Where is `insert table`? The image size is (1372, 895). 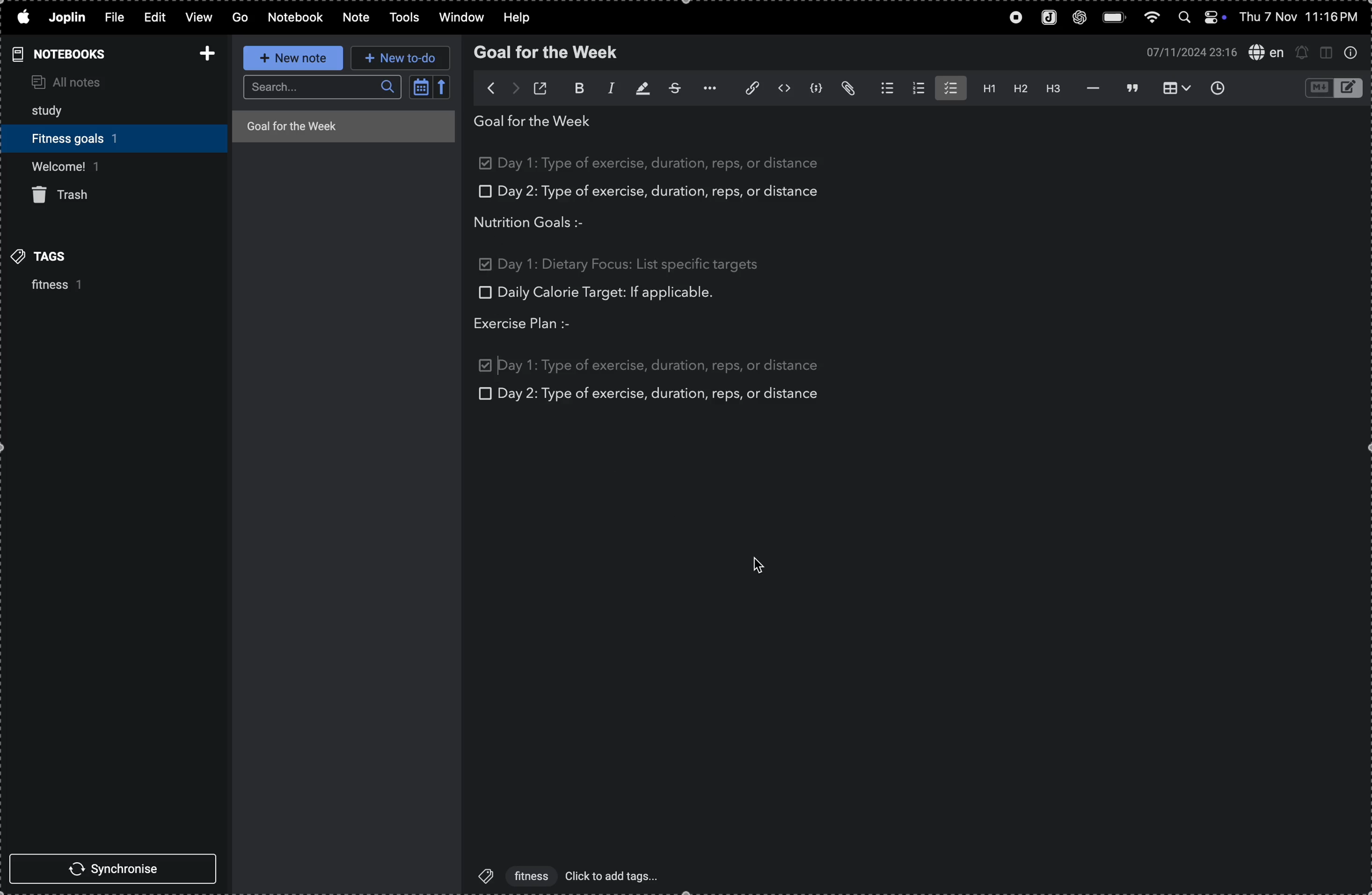
insert table is located at coordinates (1178, 88).